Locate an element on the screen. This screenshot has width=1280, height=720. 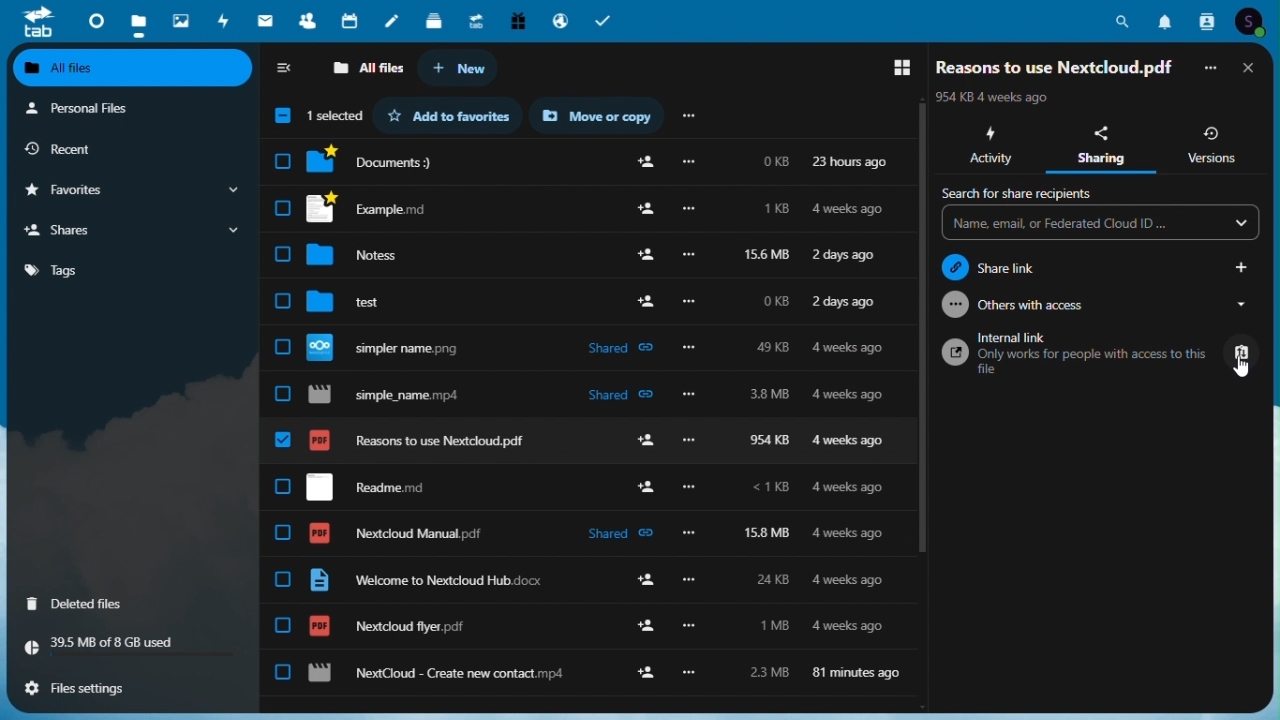
 is located at coordinates (689, 255).